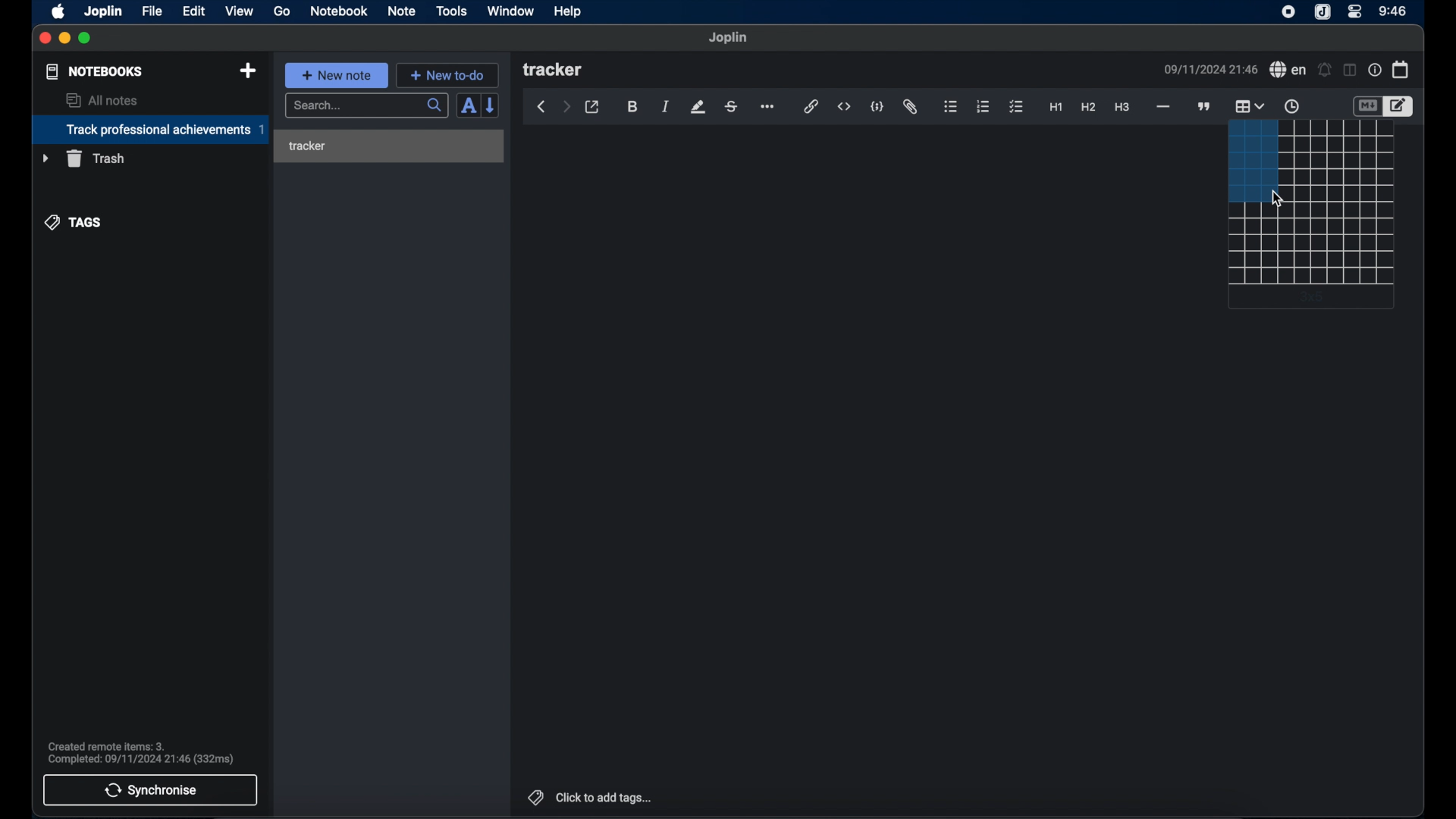  I want to click on bulleted list, so click(951, 108).